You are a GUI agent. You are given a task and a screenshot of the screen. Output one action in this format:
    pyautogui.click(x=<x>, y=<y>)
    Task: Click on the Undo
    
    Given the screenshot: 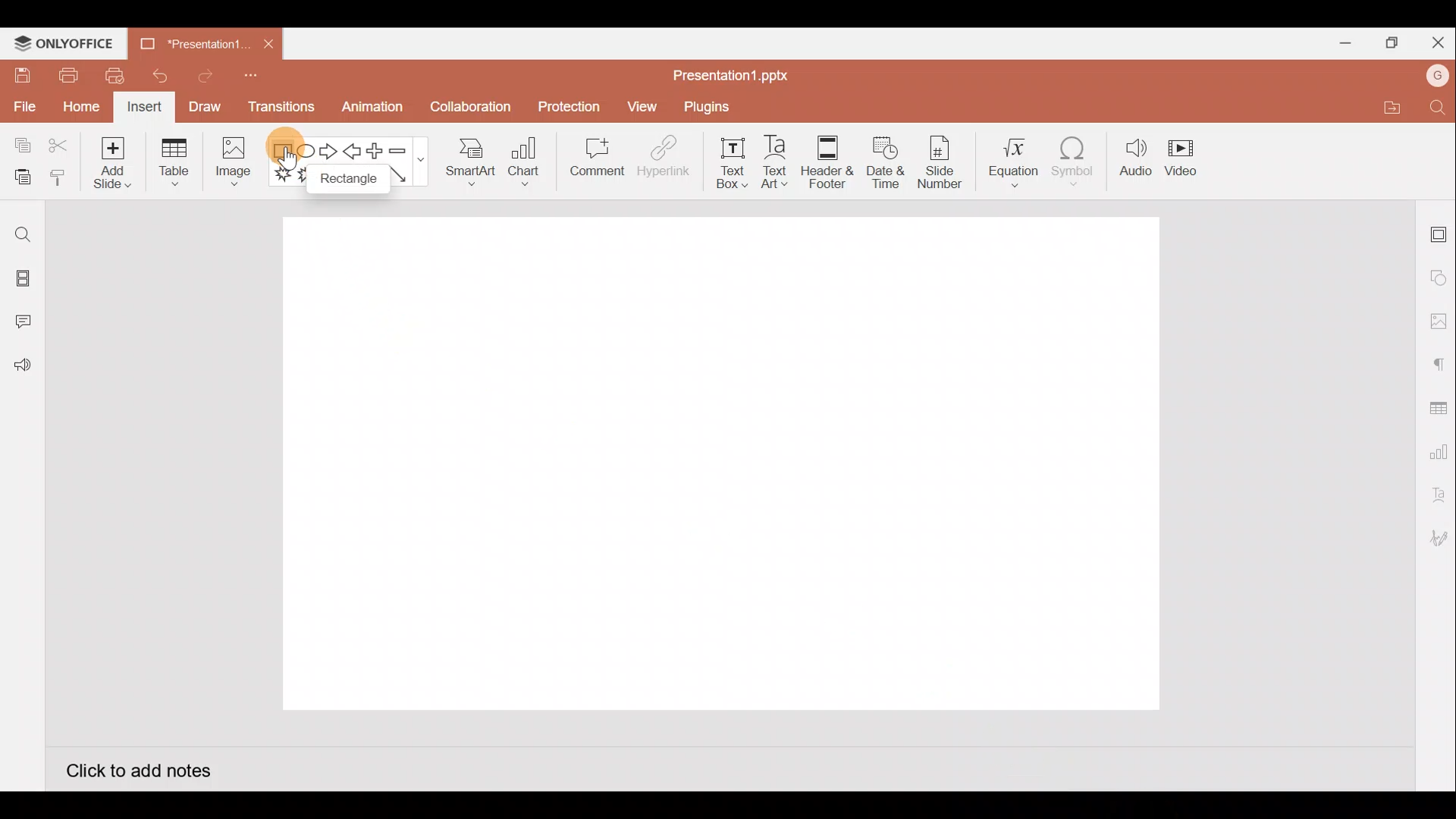 What is the action you would take?
    pyautogui.click(x=154, y=76)
    